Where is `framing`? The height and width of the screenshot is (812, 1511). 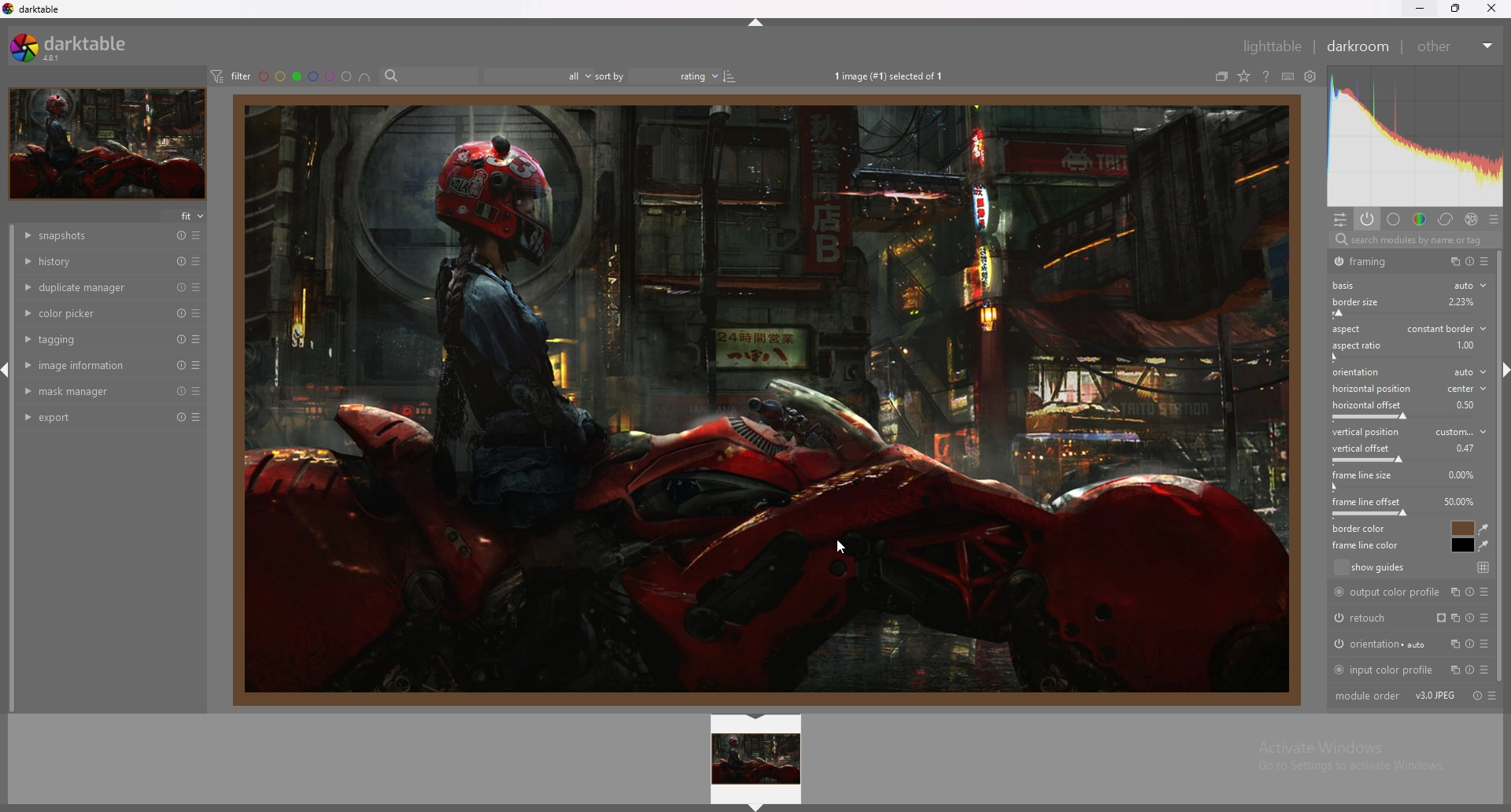
framing is located at coordinates (1372, 261).